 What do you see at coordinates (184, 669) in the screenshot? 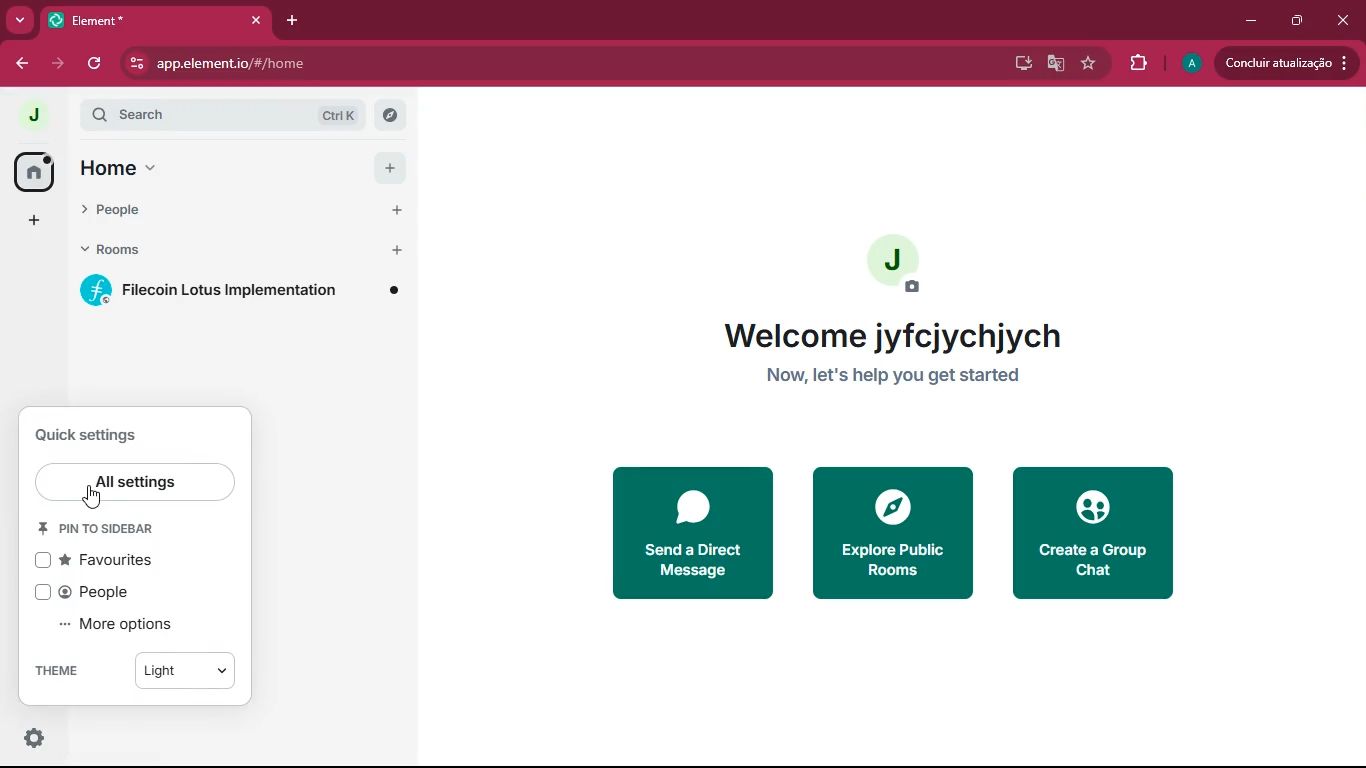
I see `light` at bounding box center [184, 669].